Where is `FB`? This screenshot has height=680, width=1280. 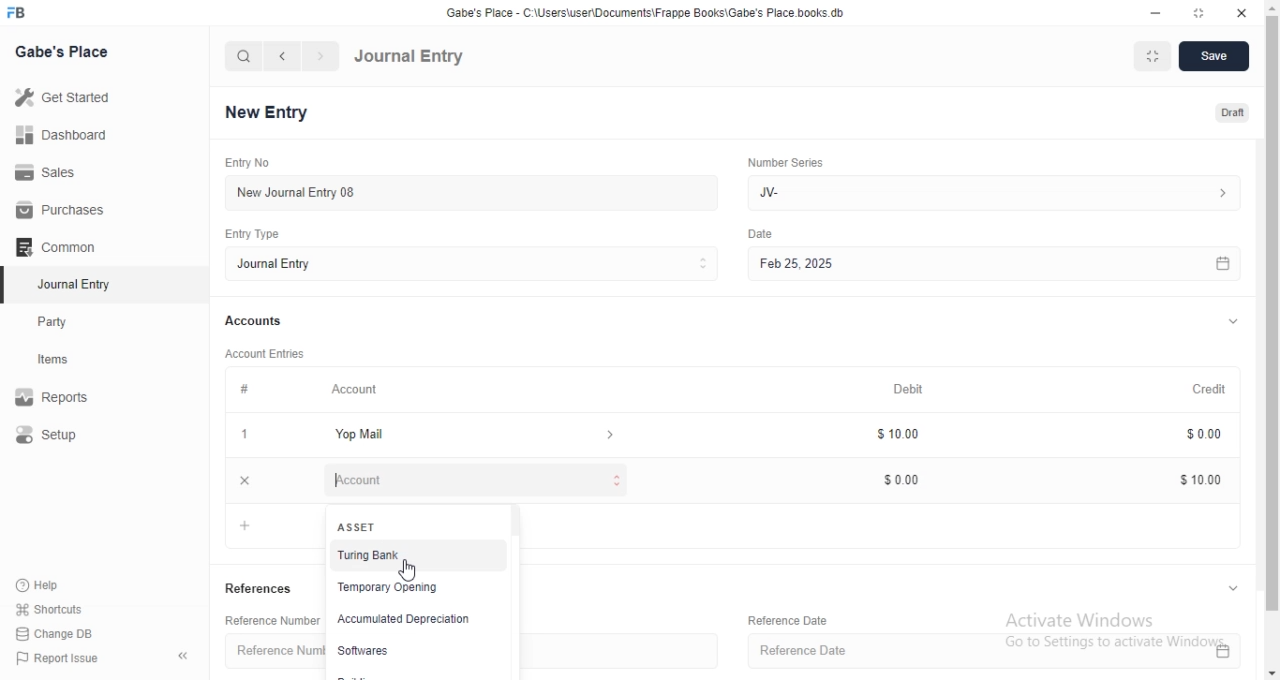 FB is located at coordinates (18, 13).